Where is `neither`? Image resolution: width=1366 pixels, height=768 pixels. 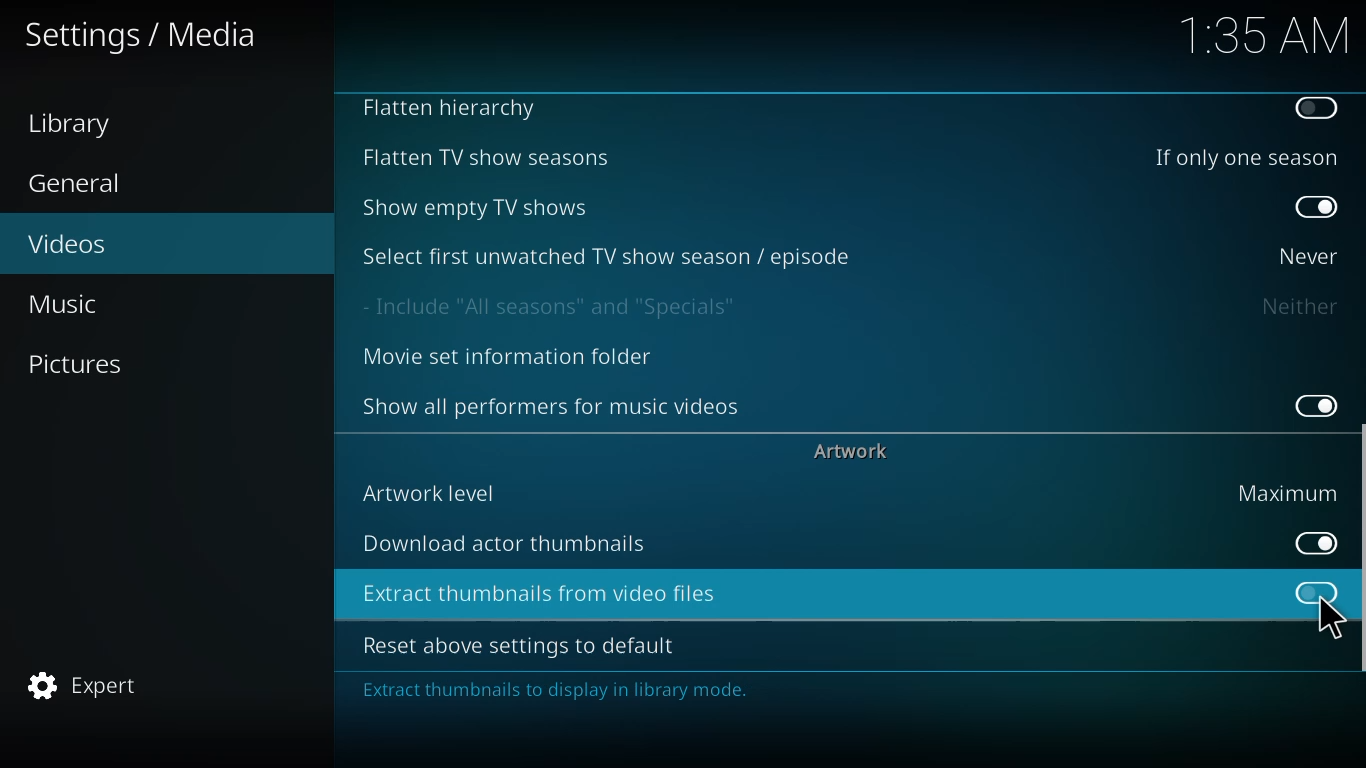
neither is located at coordinates (1298, 306).